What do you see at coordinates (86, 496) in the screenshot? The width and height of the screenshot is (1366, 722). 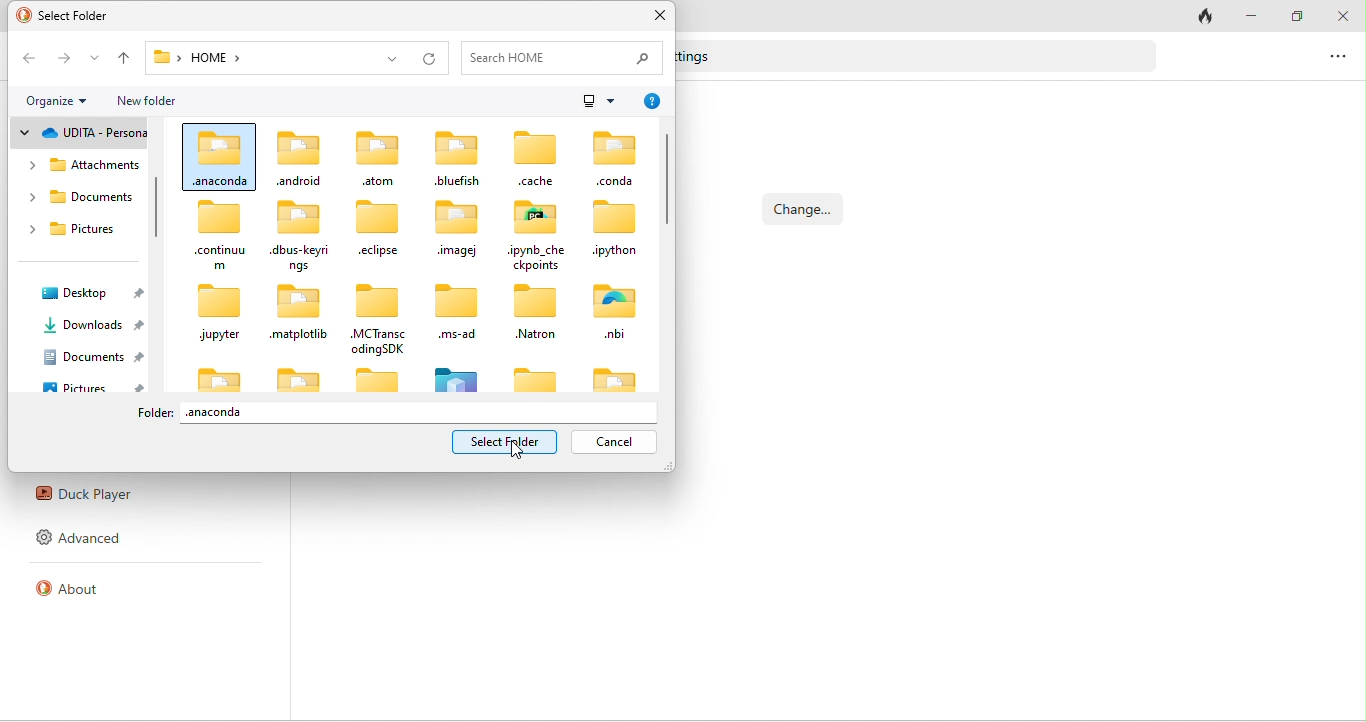 I see `duck player` at bounding box center [86, 496].